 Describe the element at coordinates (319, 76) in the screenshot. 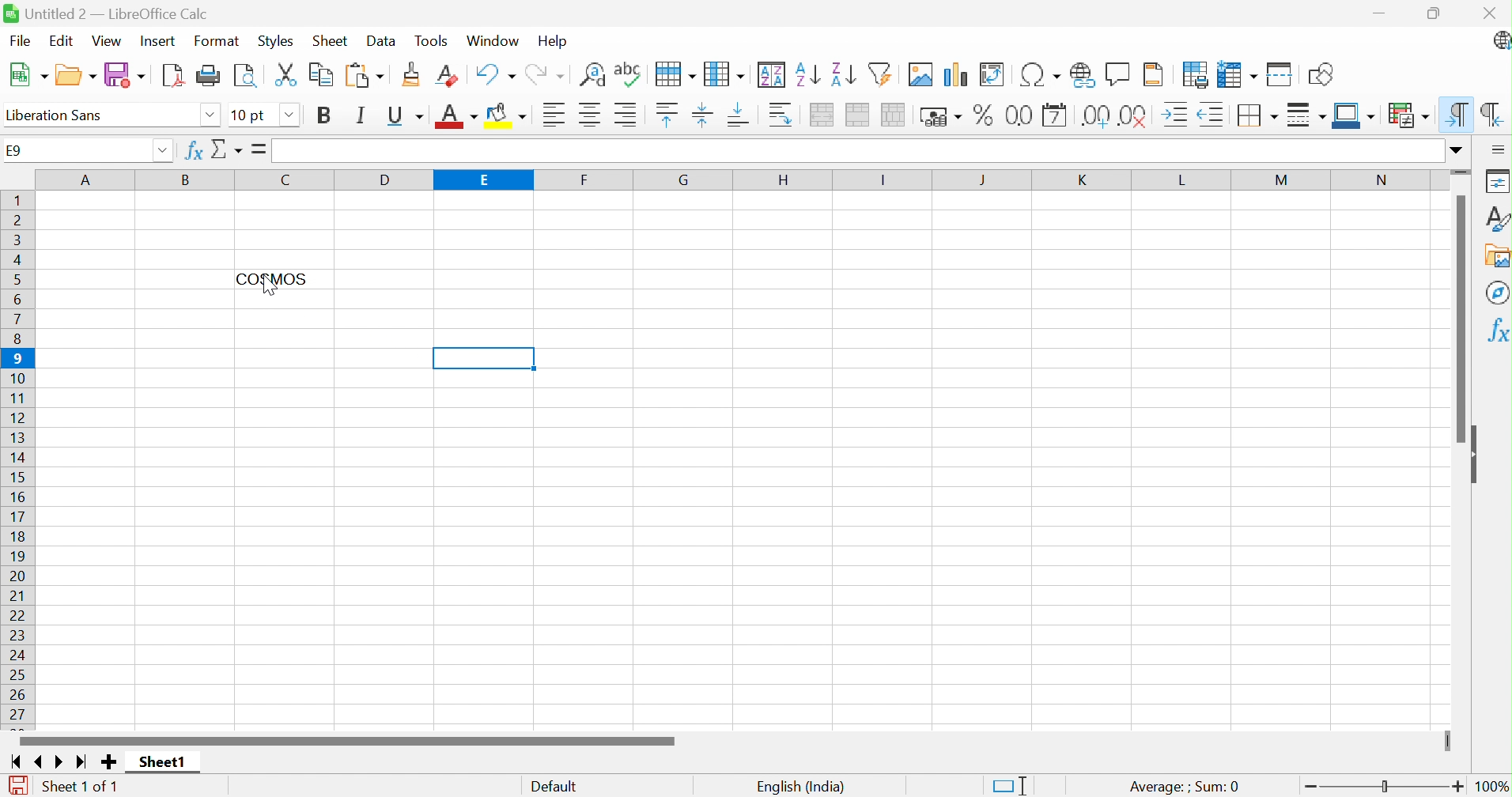

I see `Copy` at that location.